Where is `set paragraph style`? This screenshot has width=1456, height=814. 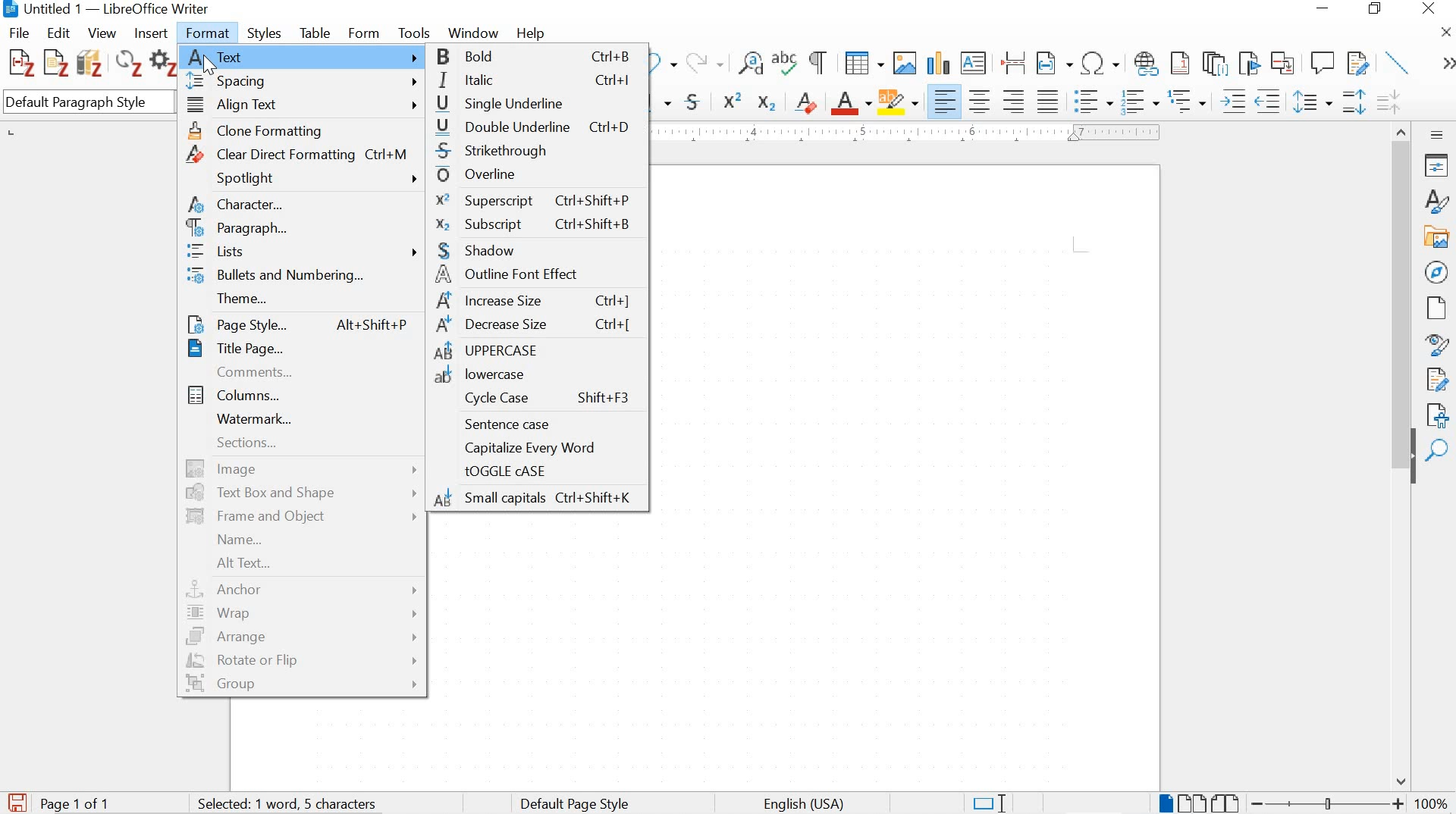
set paragraph style is located at coordinates (89, 104).